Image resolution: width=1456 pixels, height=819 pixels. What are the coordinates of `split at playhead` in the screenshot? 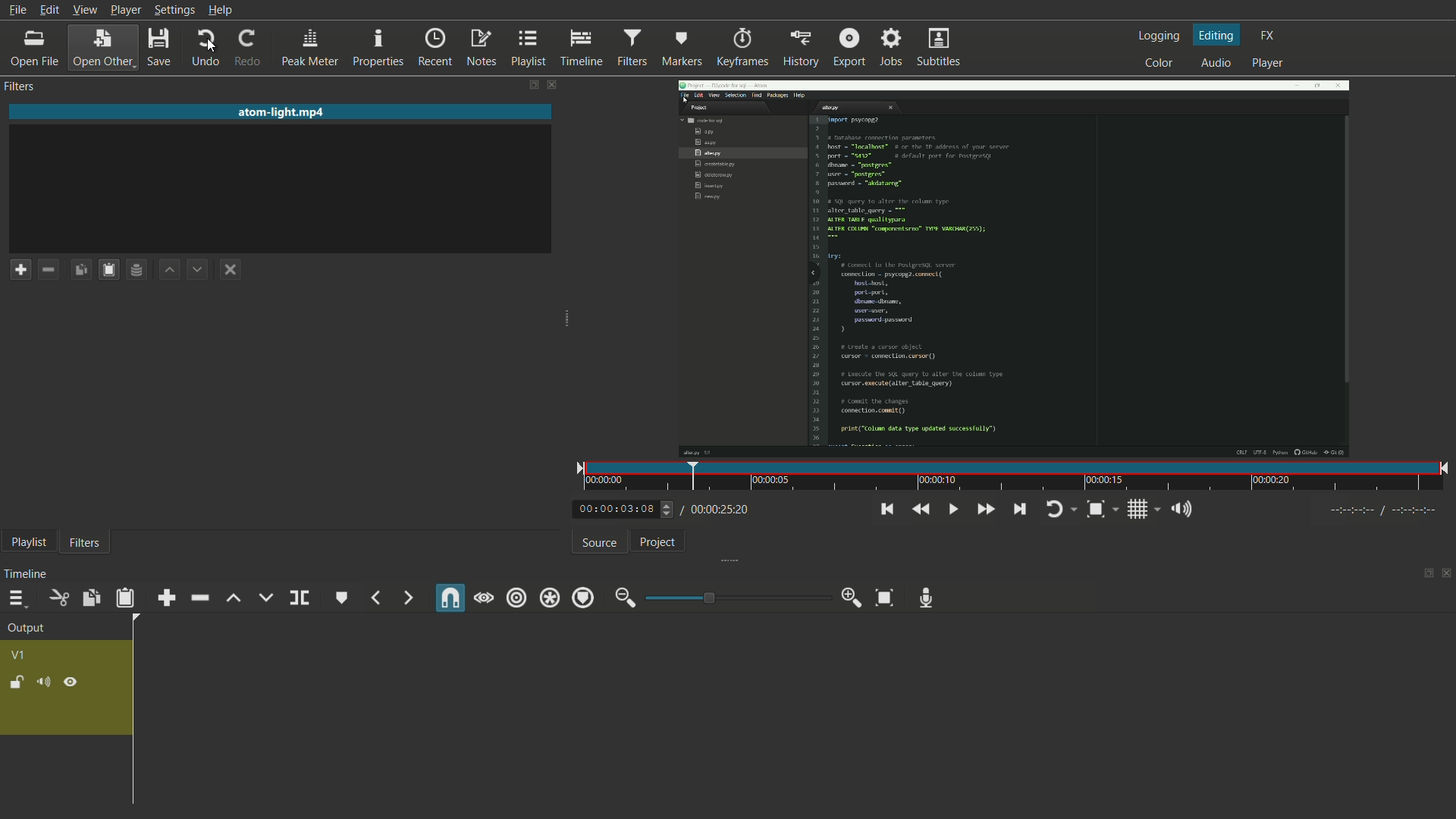 It's located at (299, 598).